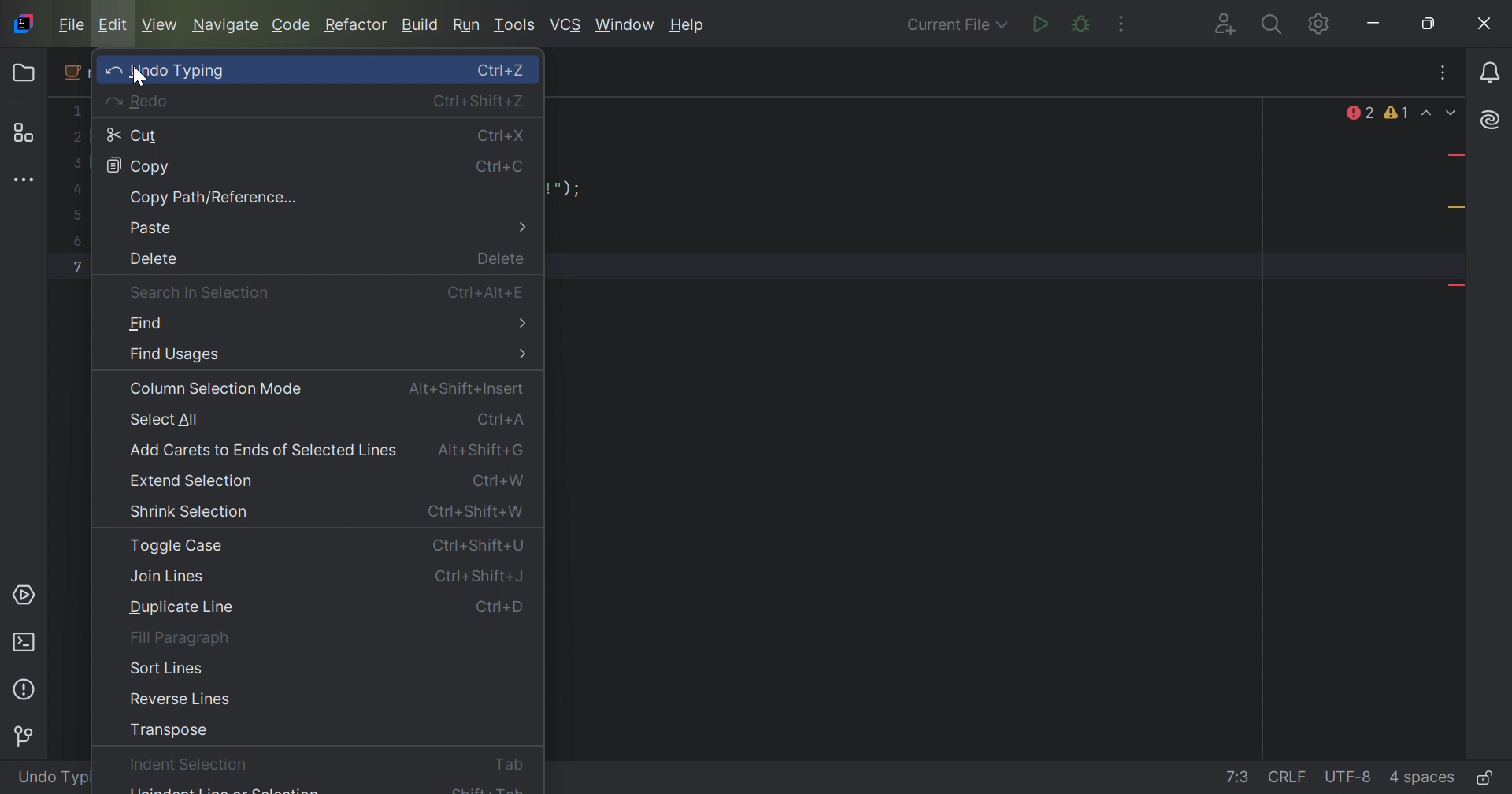 The height and width of the screenshot is (794, 1512). I want to click on More, so click(522, 325).